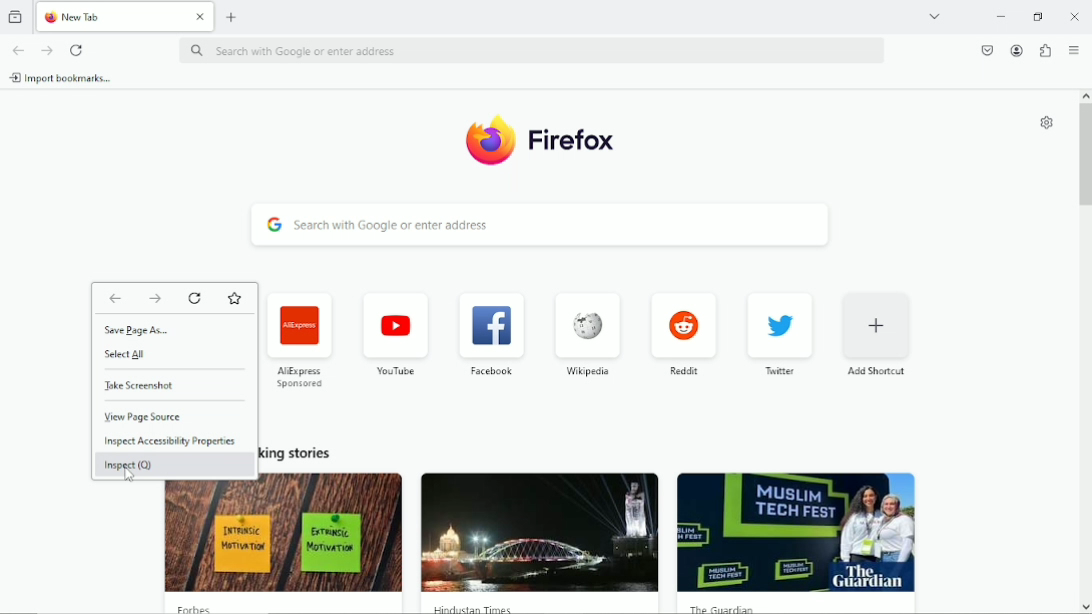  Describe the element at coordinates (79, 49) in the screenshot. I see `Reload current page` at that location.